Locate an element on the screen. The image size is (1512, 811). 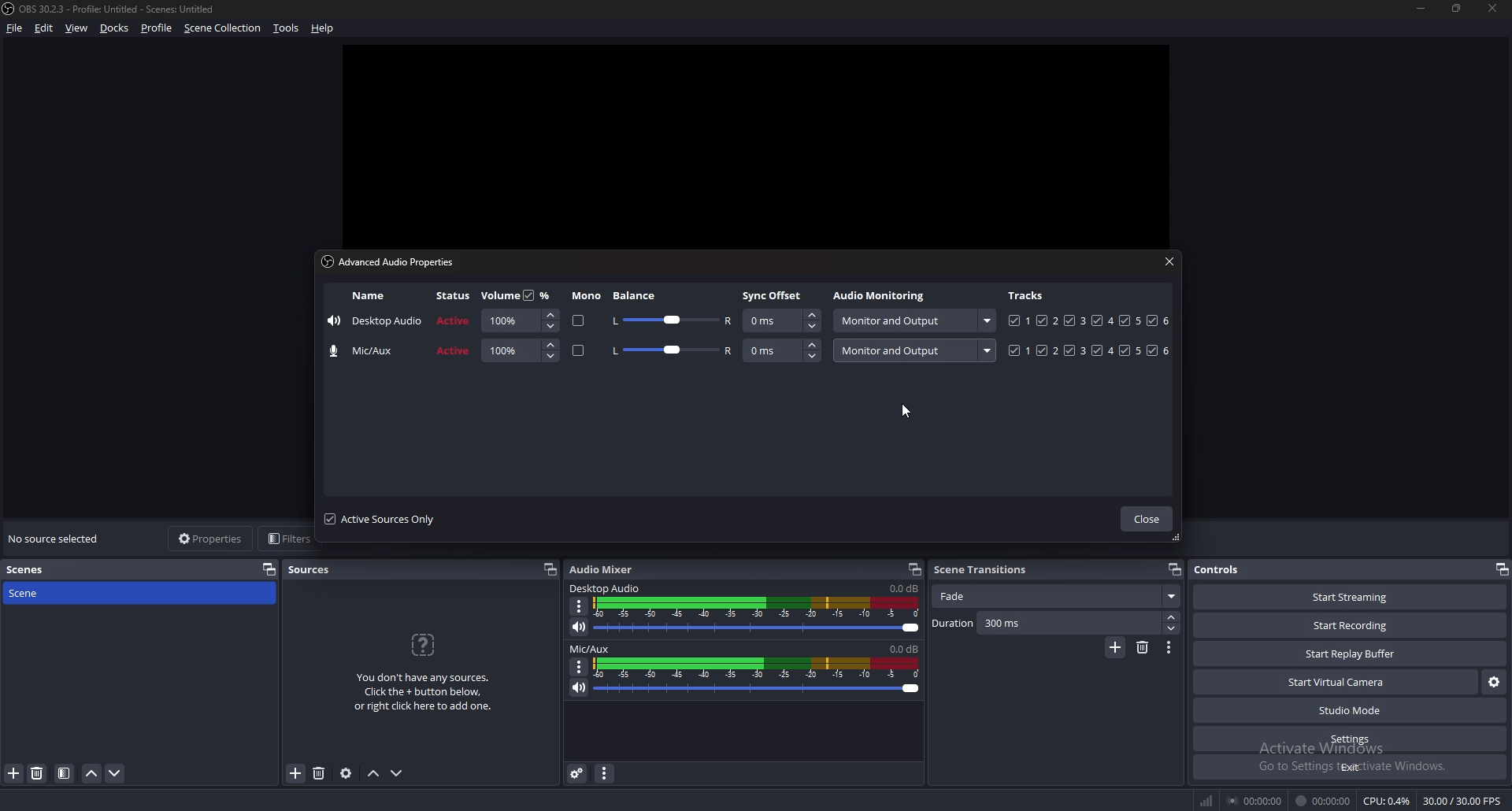
volume adjust is located at coordinates (757, 628).